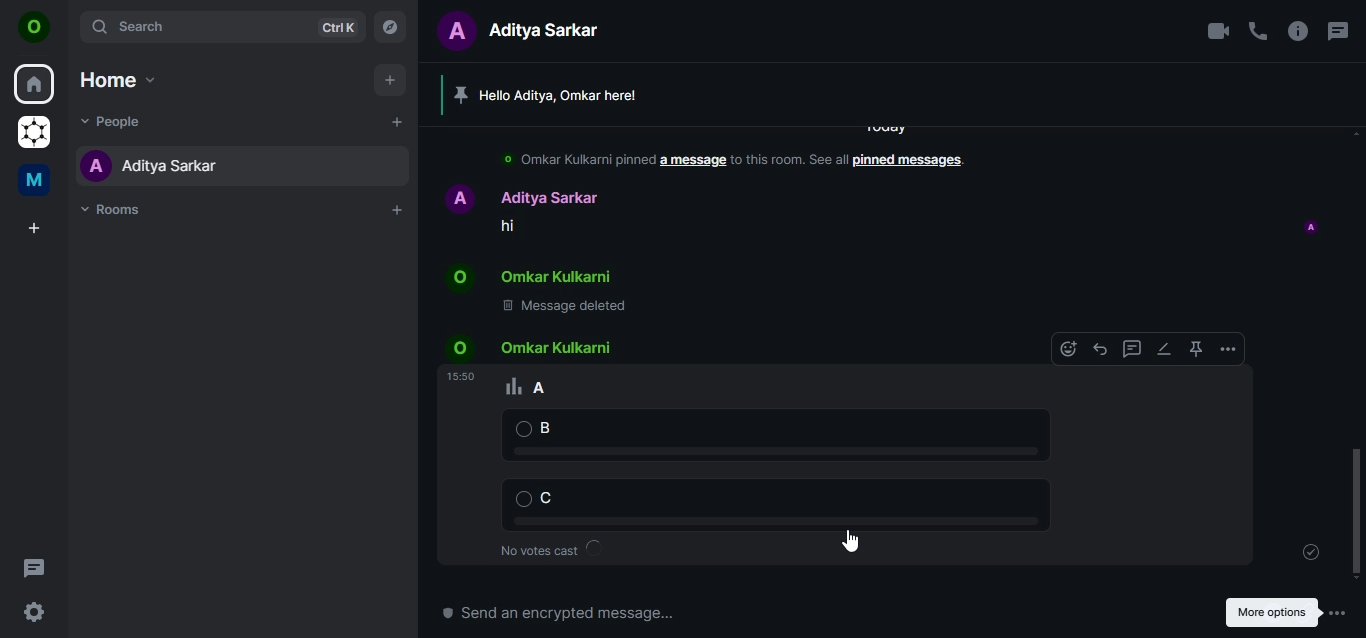 This screenshot has width=1366, height=638. Describe the element at coordinates (1230, 349) in the screenshot. I see `more options` at that location.